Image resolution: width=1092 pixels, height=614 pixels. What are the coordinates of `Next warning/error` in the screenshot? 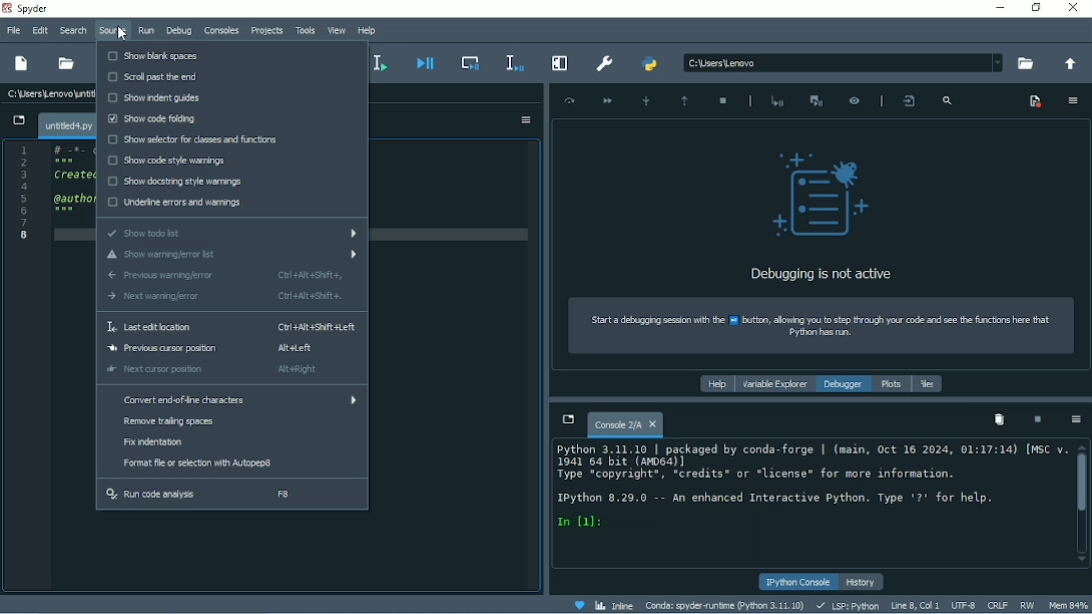 It's located at (226, 296).